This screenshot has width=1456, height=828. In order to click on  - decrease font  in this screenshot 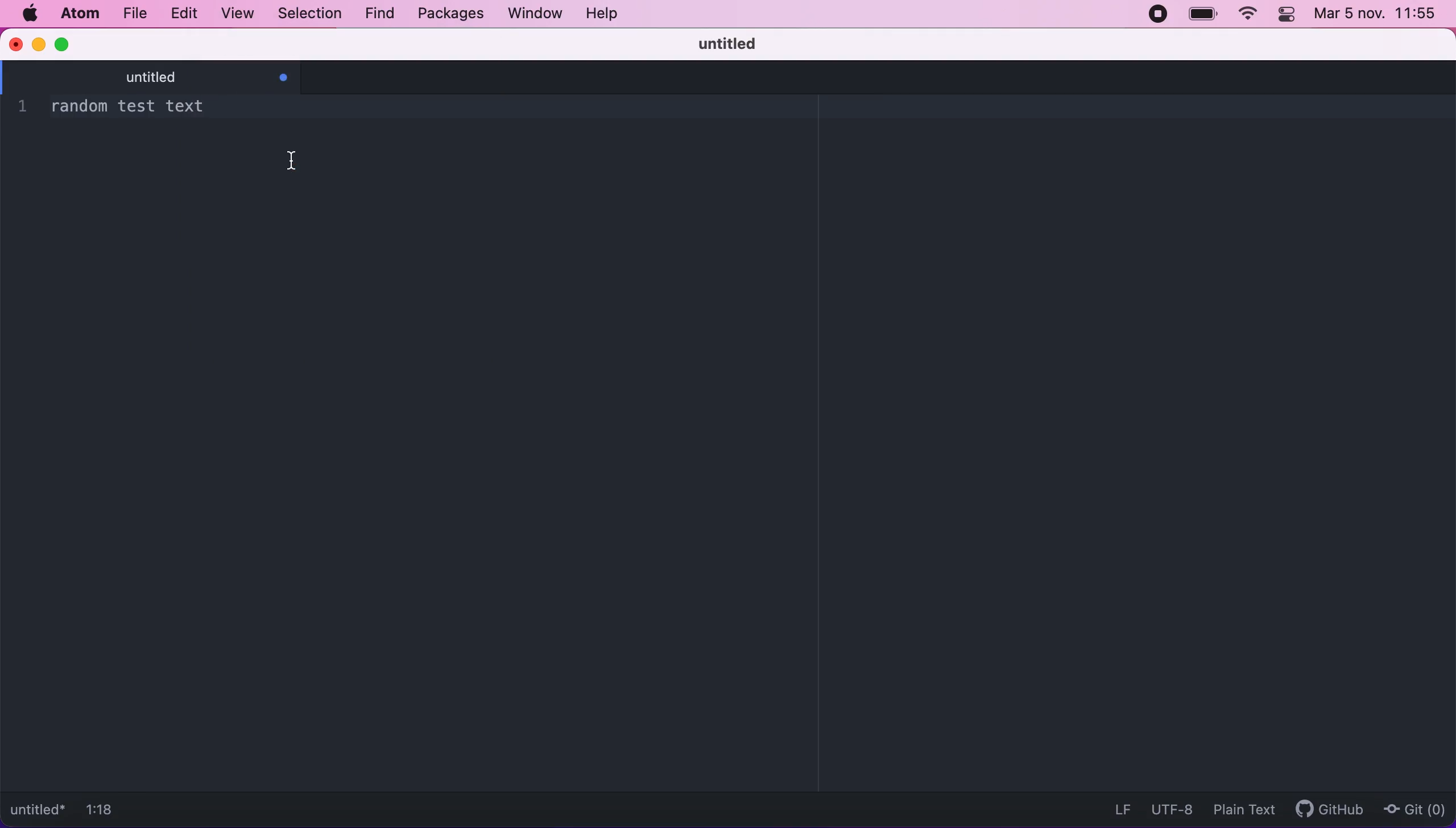, I will do `click(307, 108)`.